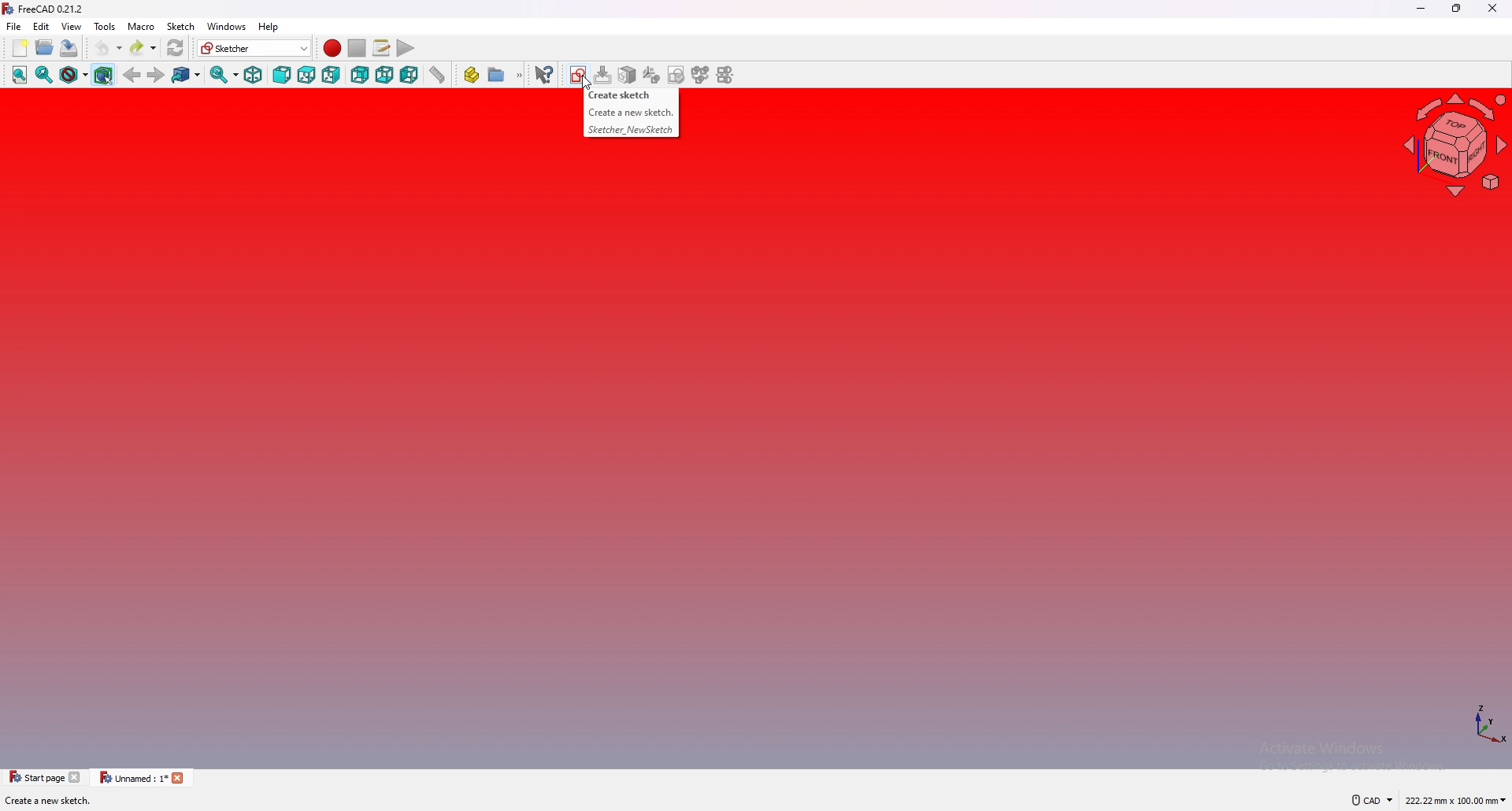  I want to click on draw style, so click(74, 75).